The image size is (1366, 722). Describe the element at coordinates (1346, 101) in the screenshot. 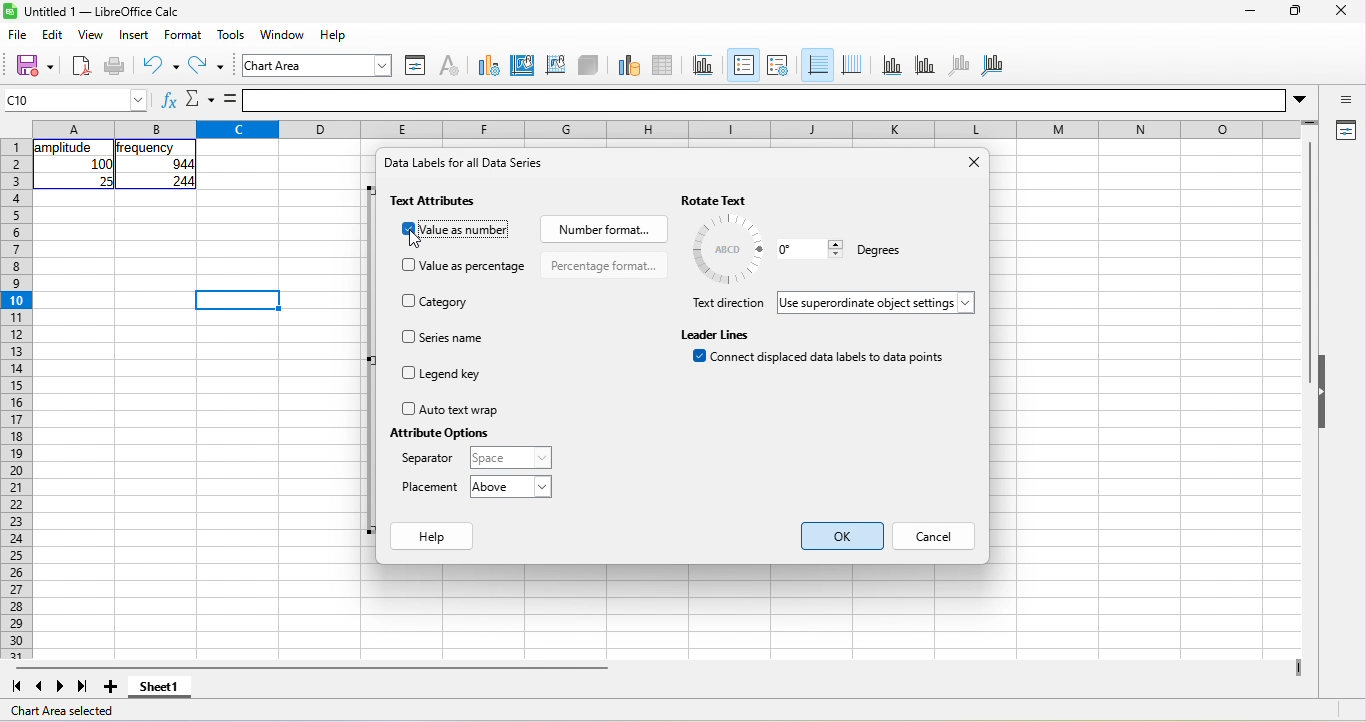

I see `sidebar settings` at that location.